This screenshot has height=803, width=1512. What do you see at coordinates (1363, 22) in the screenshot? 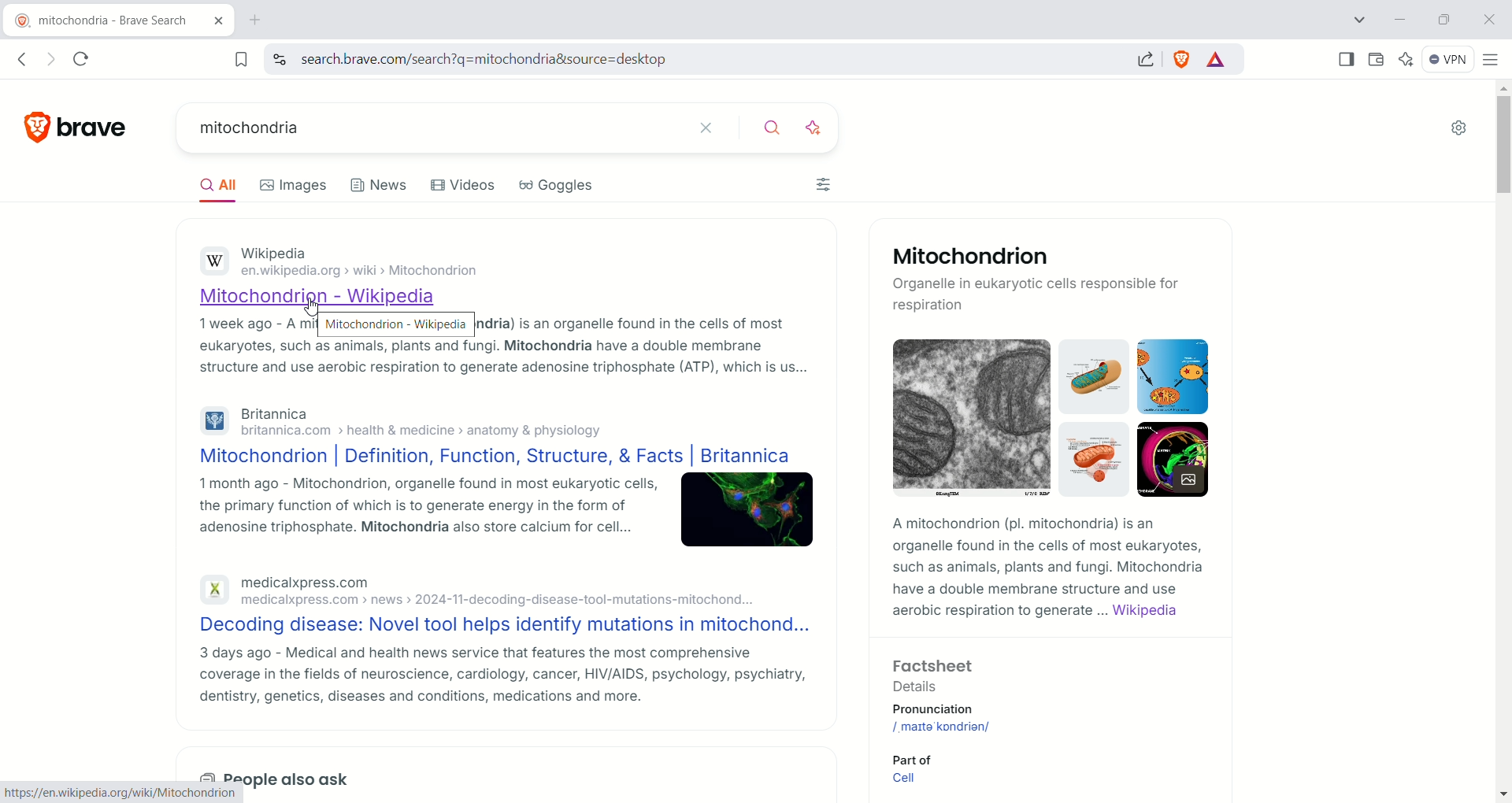
I see `search tab` at bounding box center [1363, 22].